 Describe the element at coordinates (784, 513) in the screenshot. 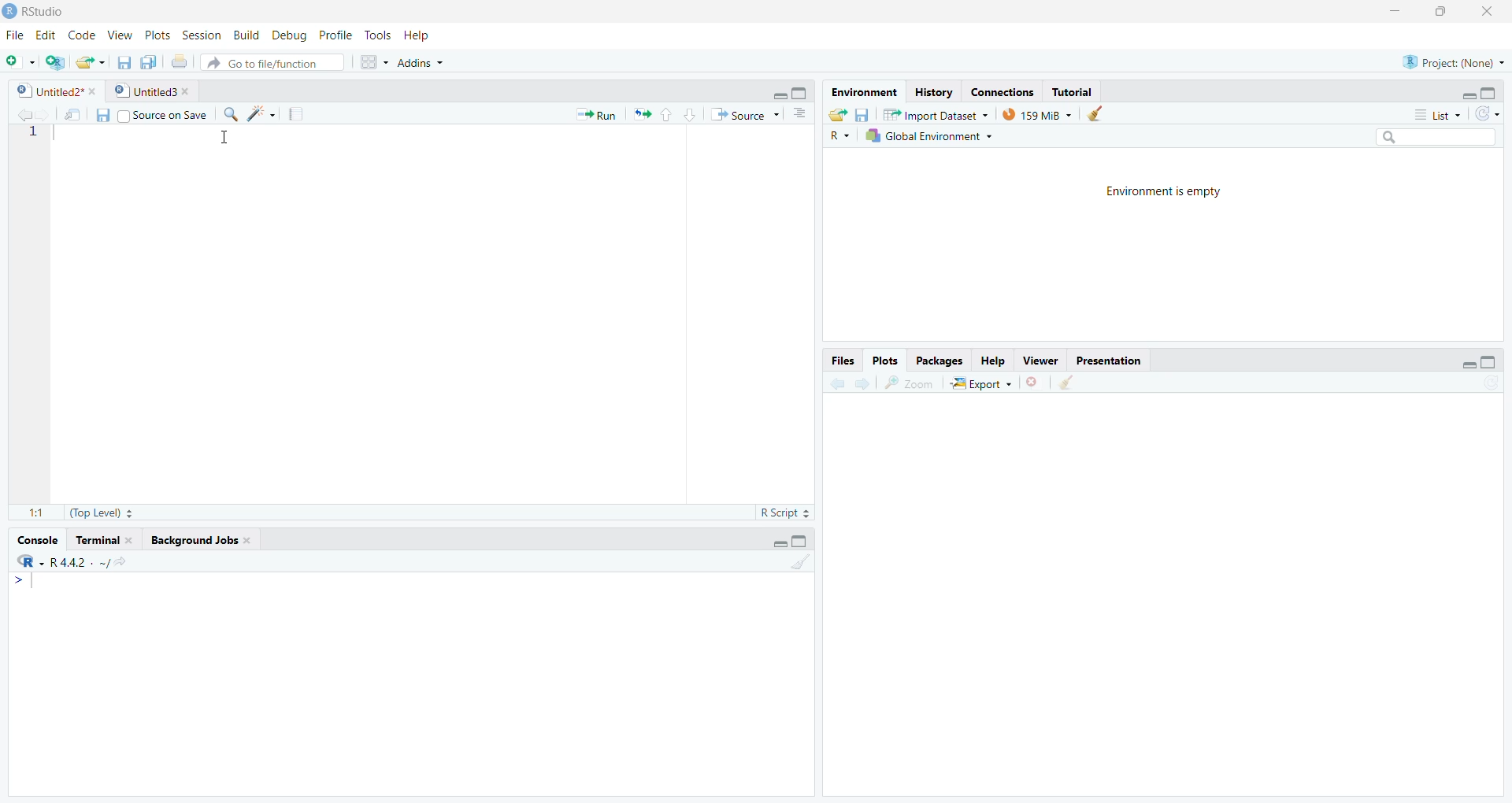

I see `R Script` at that location.